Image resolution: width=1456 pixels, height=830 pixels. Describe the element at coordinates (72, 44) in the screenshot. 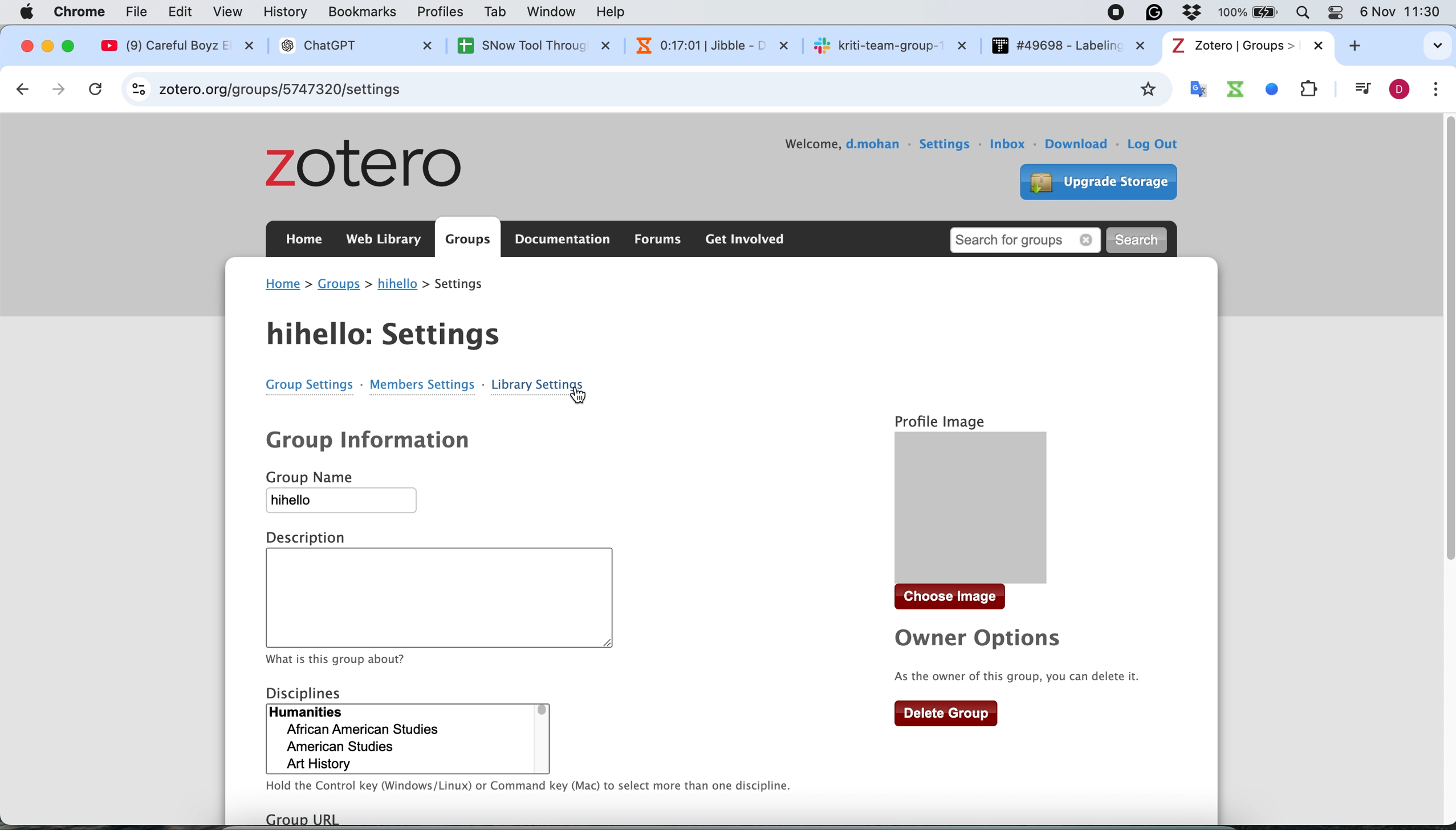

I see `maximise` at that location.